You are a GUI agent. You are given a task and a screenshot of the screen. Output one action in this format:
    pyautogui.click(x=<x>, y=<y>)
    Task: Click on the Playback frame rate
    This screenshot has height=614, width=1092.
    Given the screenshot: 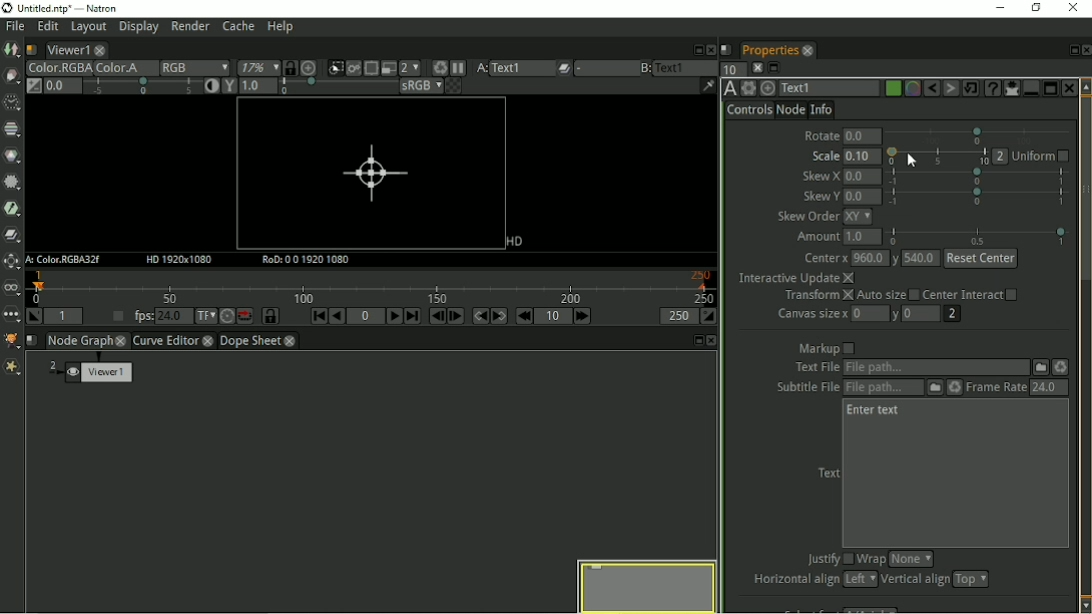 What is the action you would take?
    pyautogui.click(x=117, y=316)
    